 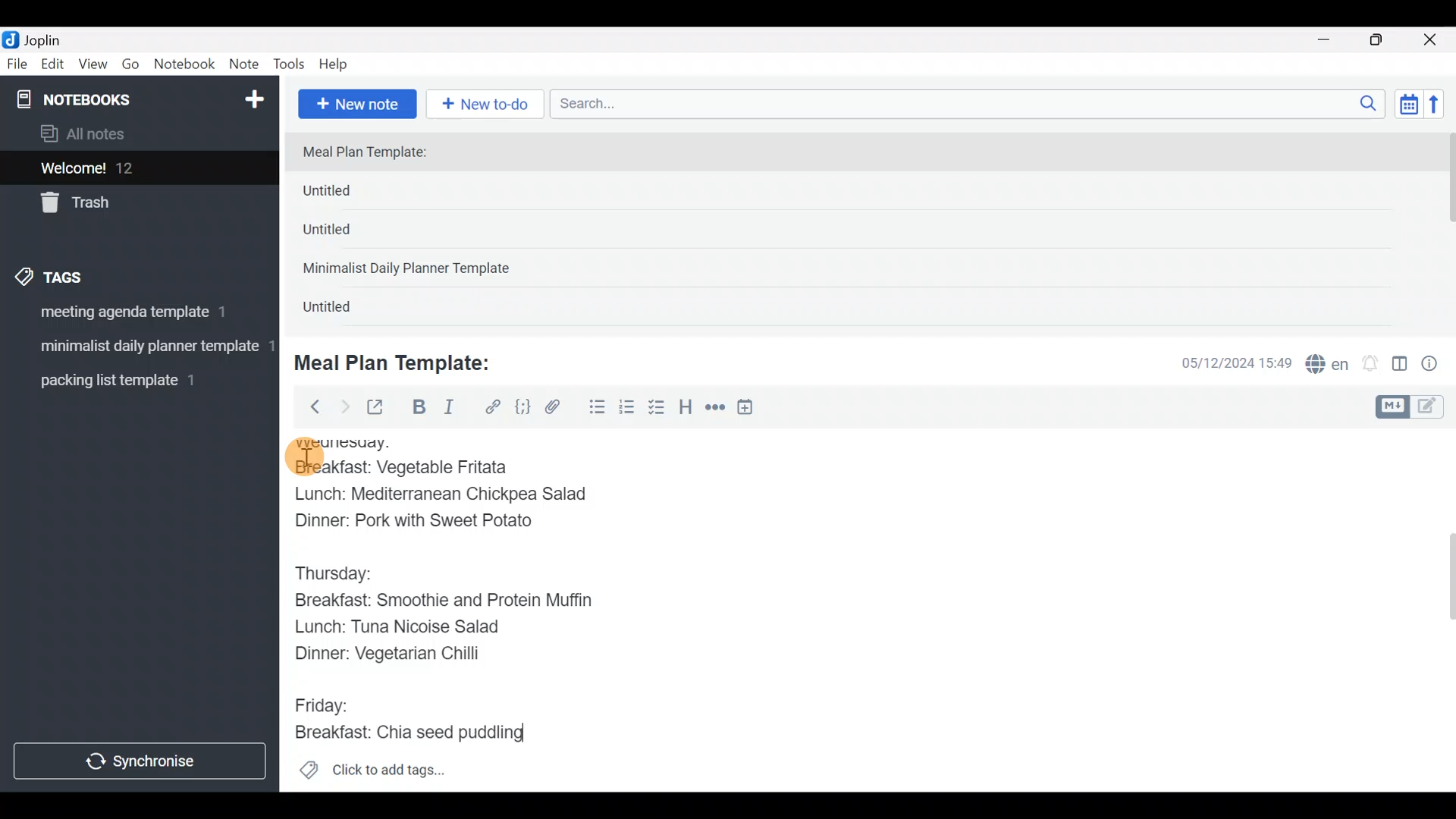 I want to click on All notes, so click(x=136, y=135).